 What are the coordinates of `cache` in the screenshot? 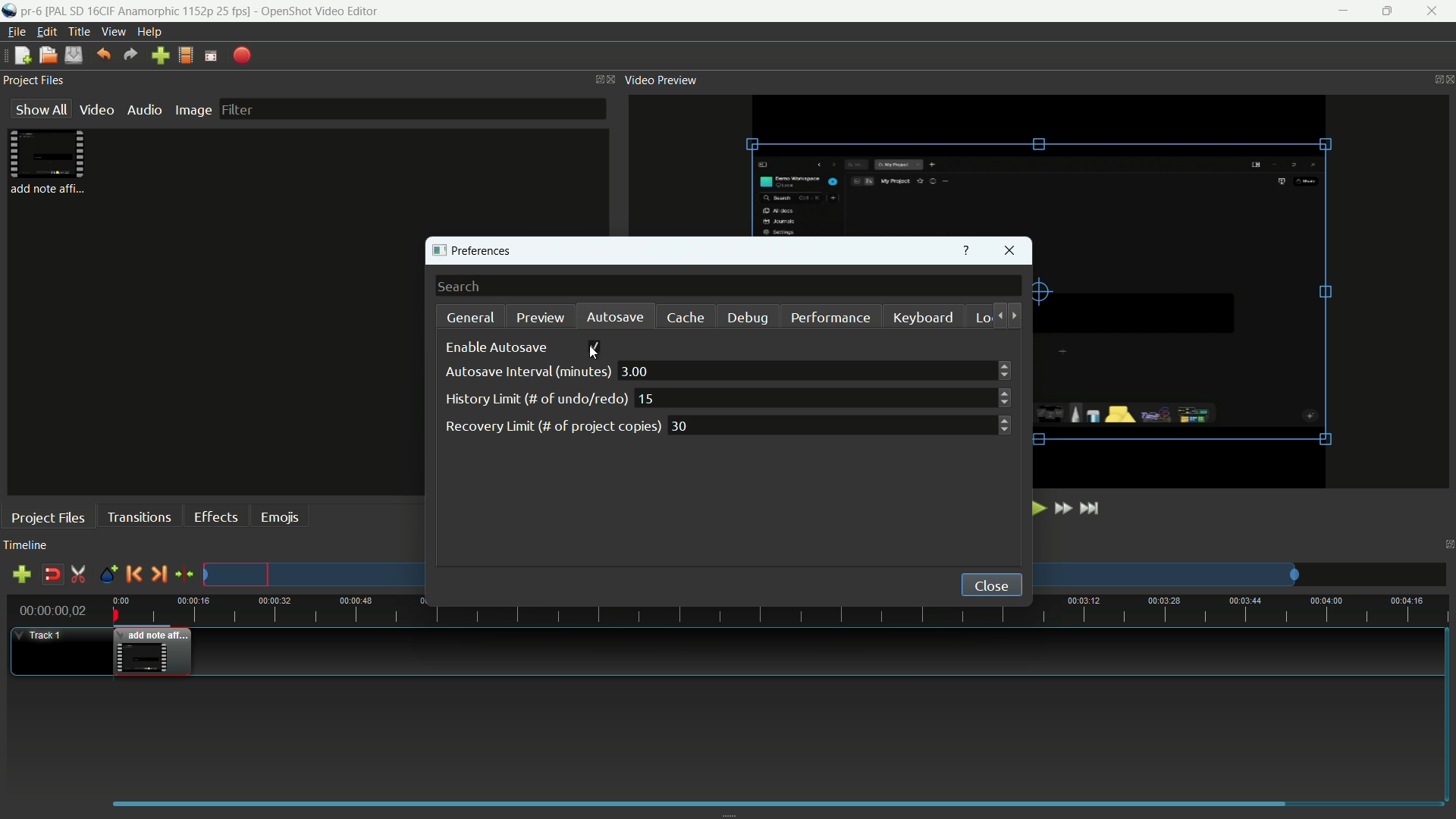 It's located at (685, 318).